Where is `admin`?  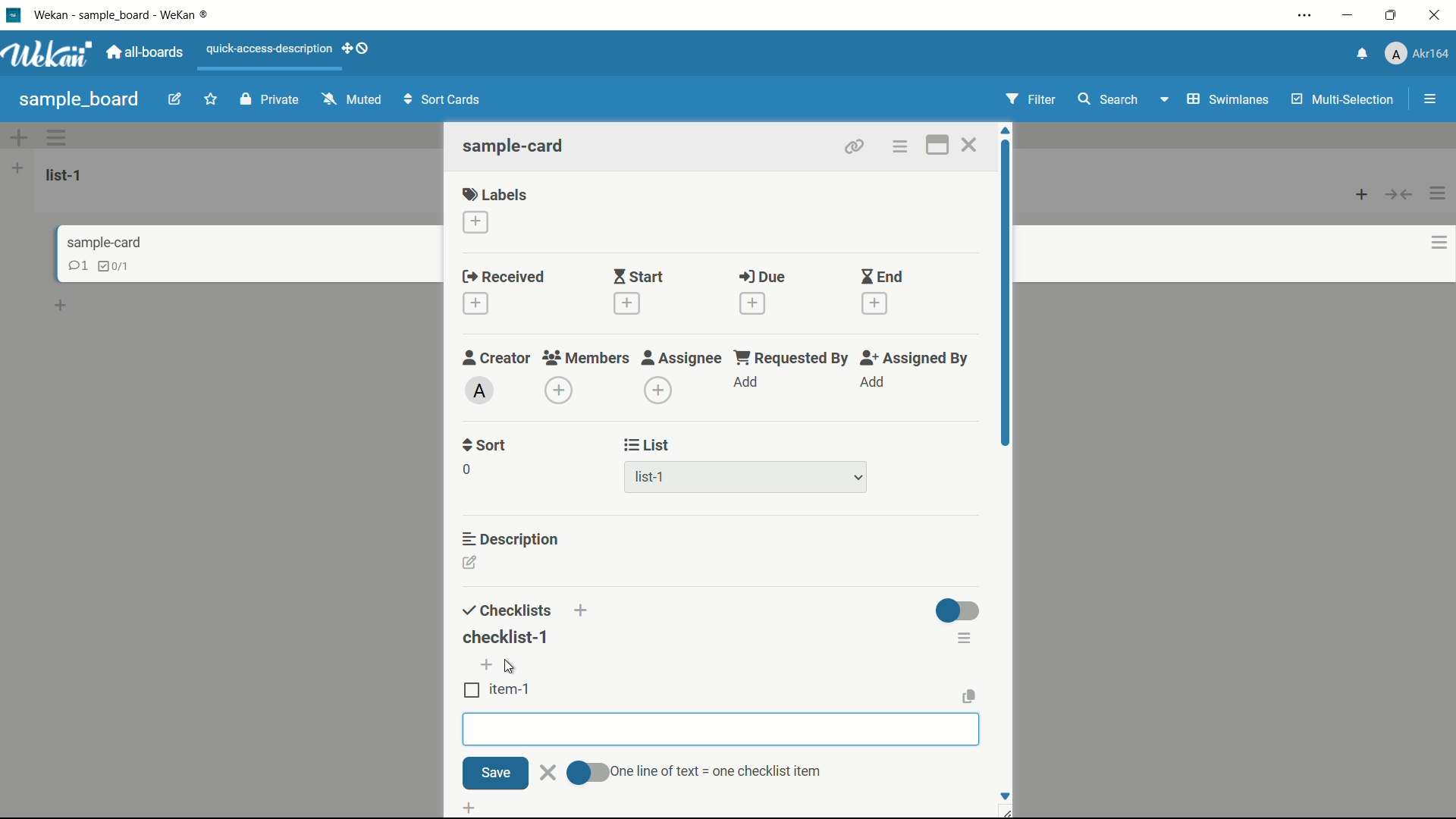
admin is located at coordinates (479, 391).